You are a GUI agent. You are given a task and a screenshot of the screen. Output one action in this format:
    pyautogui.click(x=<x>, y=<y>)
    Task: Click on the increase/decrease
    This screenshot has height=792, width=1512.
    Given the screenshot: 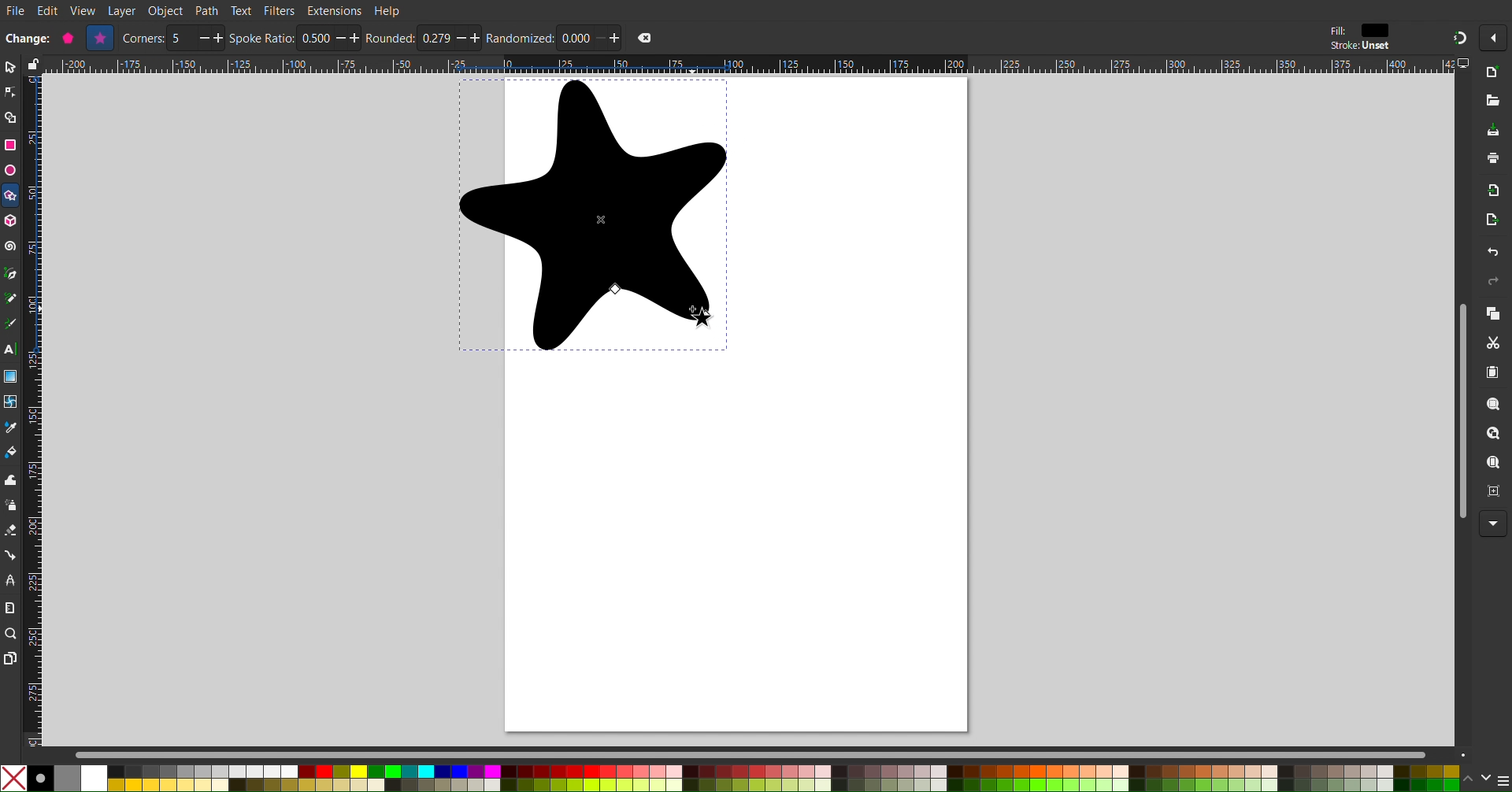 What is the action you would take?
    pyautogui.click(x=469, y=38)
    